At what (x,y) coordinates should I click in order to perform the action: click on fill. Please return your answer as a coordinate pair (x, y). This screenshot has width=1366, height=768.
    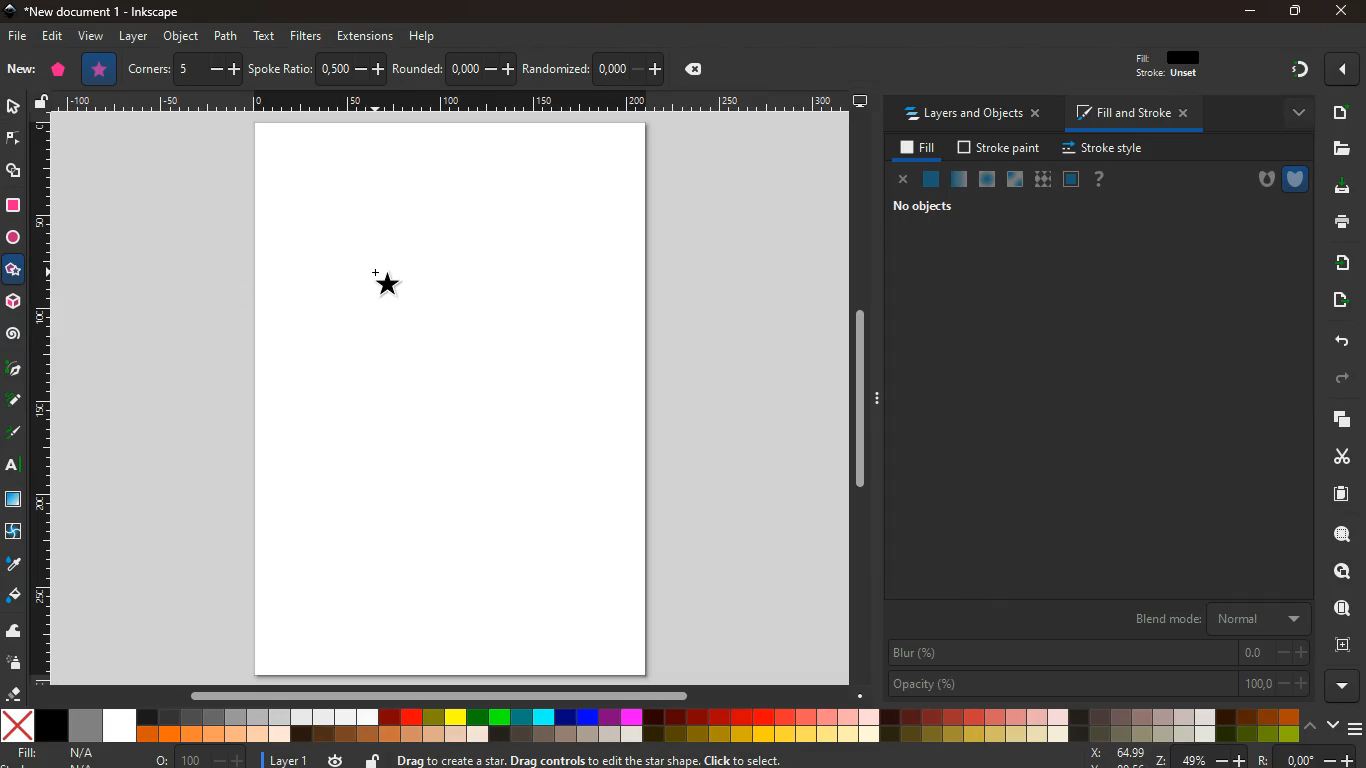
    Looking at the image, I should click on (1180, 66).